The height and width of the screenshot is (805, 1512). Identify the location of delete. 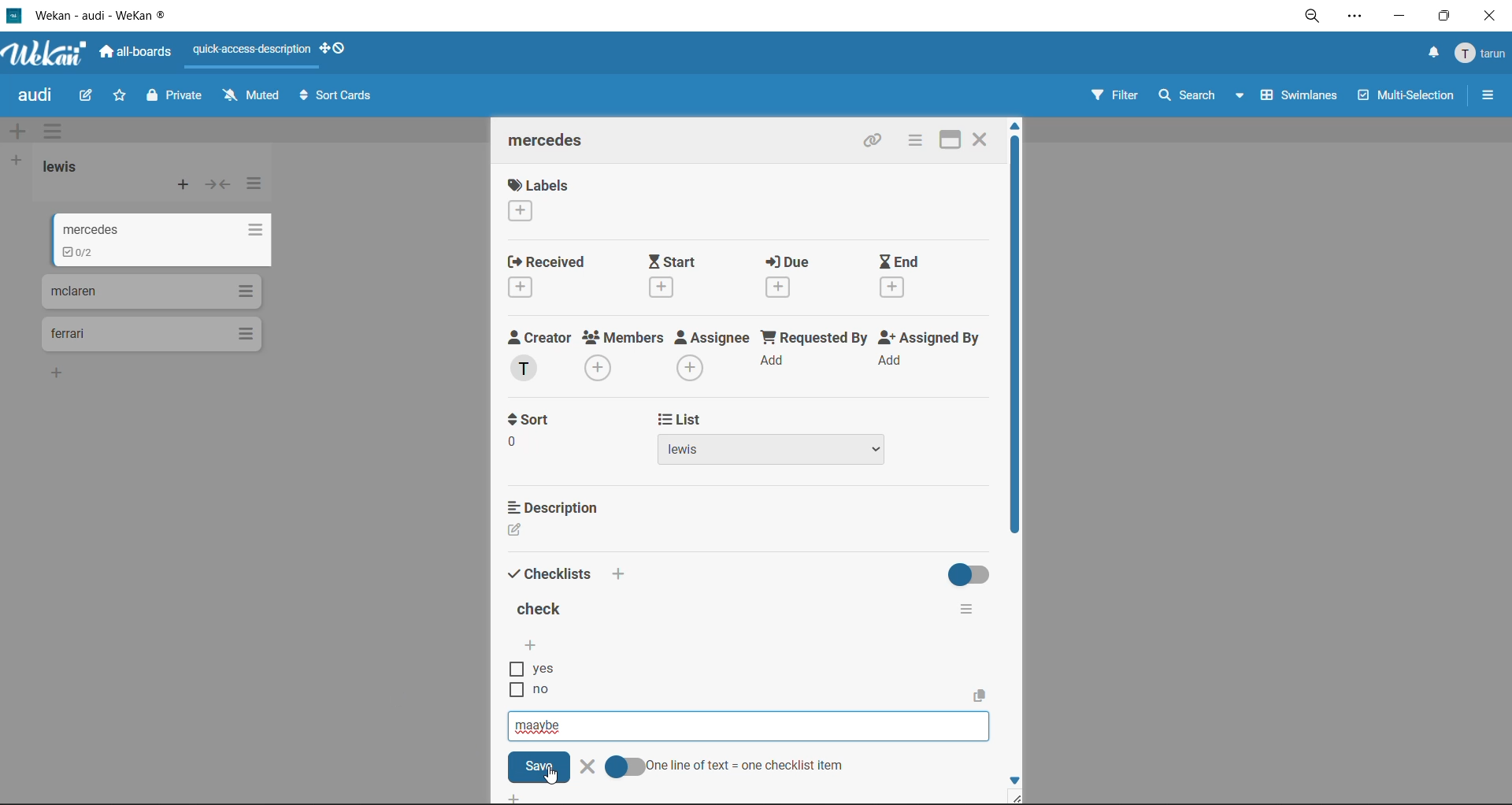
(586, 766).